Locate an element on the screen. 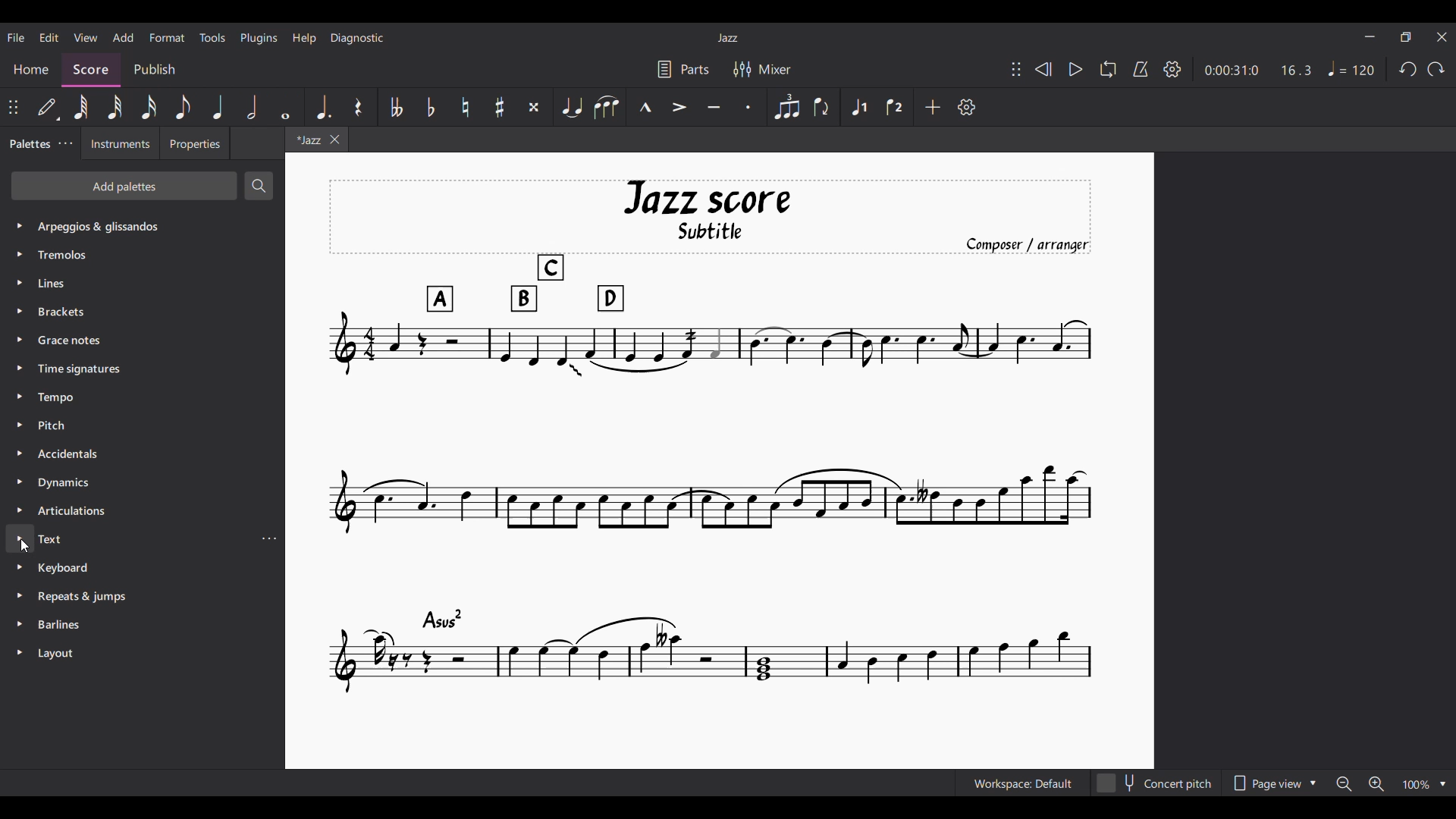  Tuplet is located at coordinates (786, 107).